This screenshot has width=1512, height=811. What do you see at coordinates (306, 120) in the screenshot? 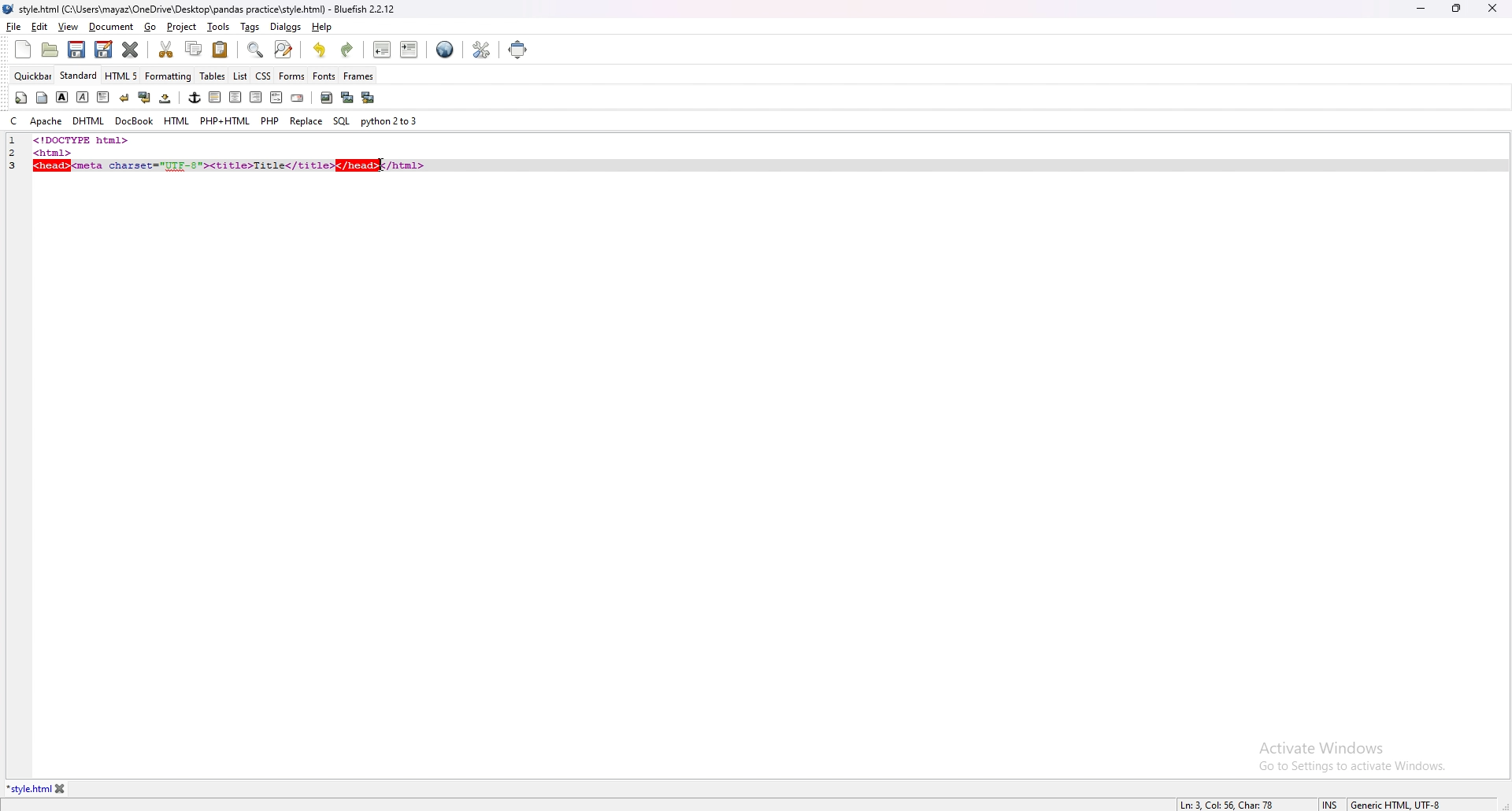
I see `replace` at bounding box center [306, 120].